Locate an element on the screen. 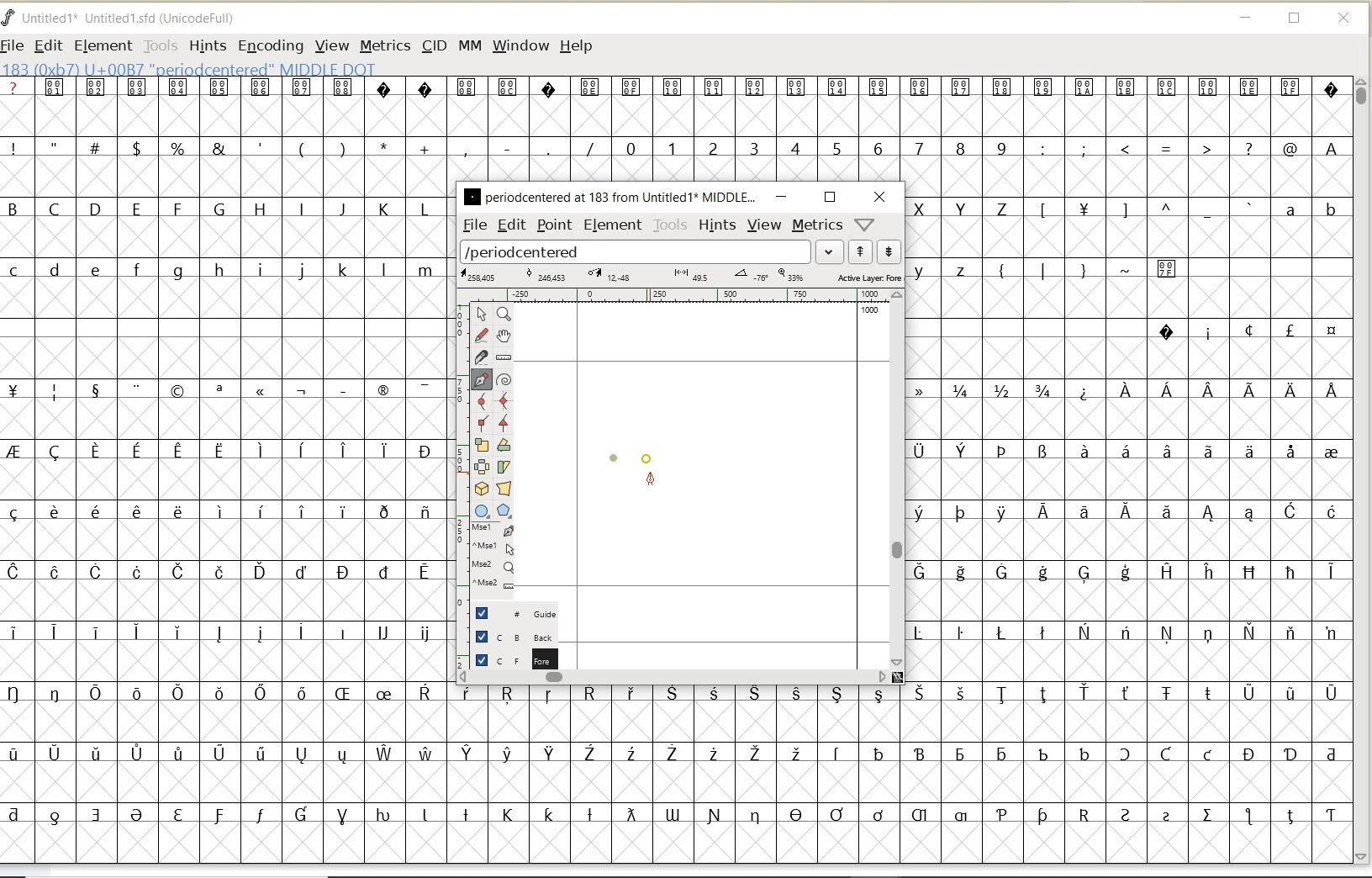 The width and height of the screenshot is (1372, 878). background is located at coordinates (509, 637).